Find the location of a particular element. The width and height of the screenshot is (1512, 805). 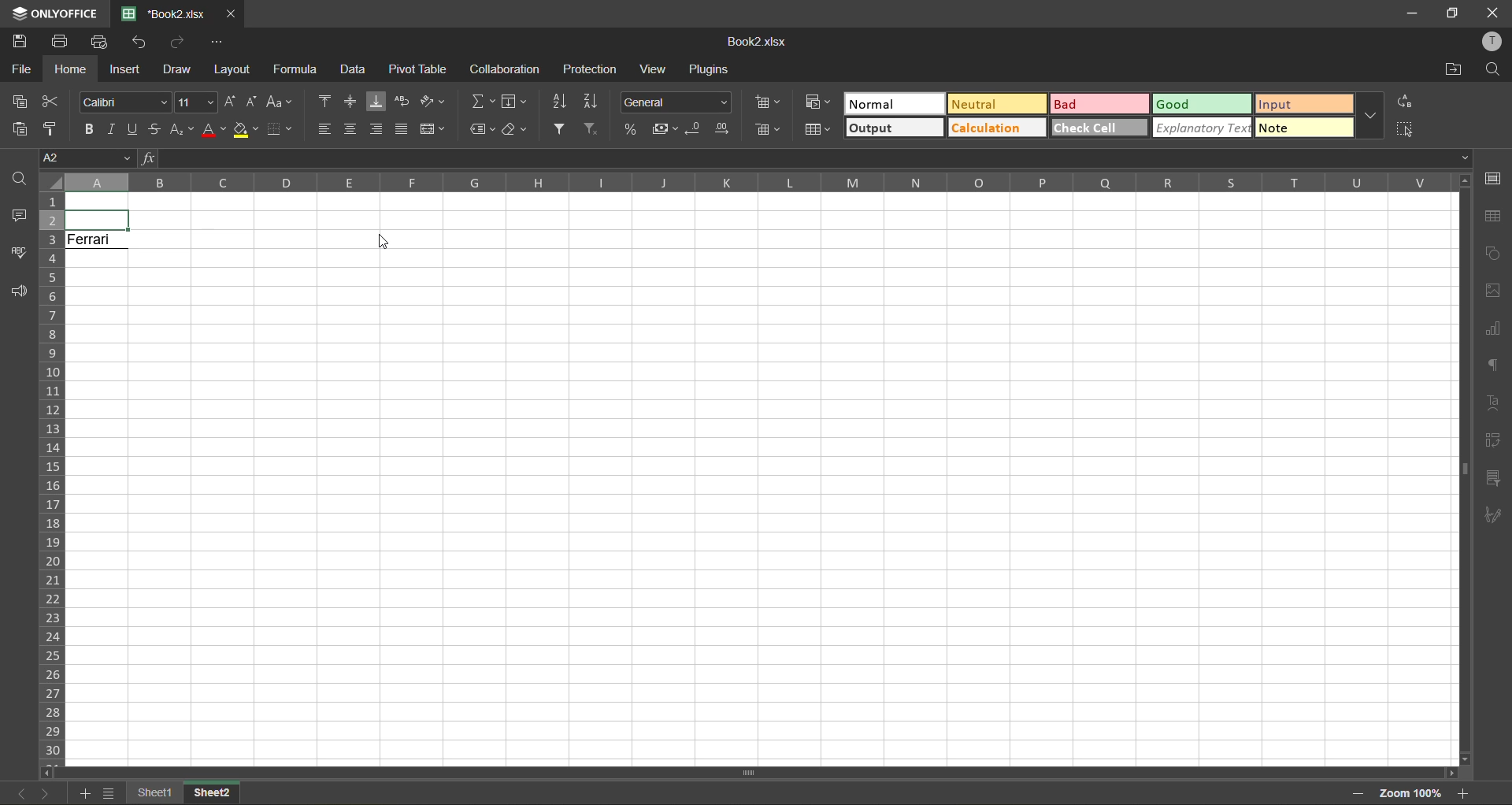

Scrollbar  is located at coordinates (752, 770).